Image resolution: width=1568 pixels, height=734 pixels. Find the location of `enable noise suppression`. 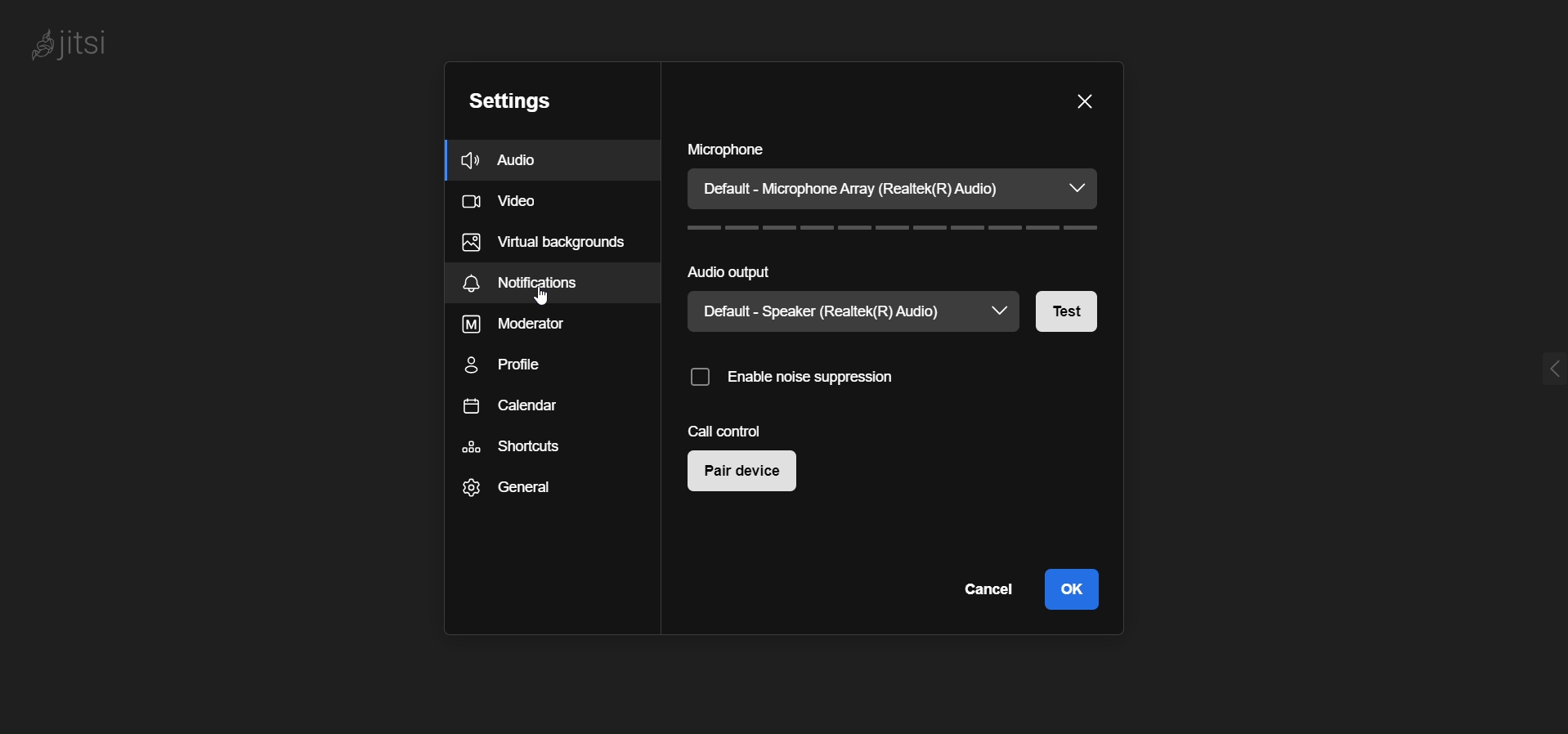

enable noise suppression is located at coordinates (790, 378).